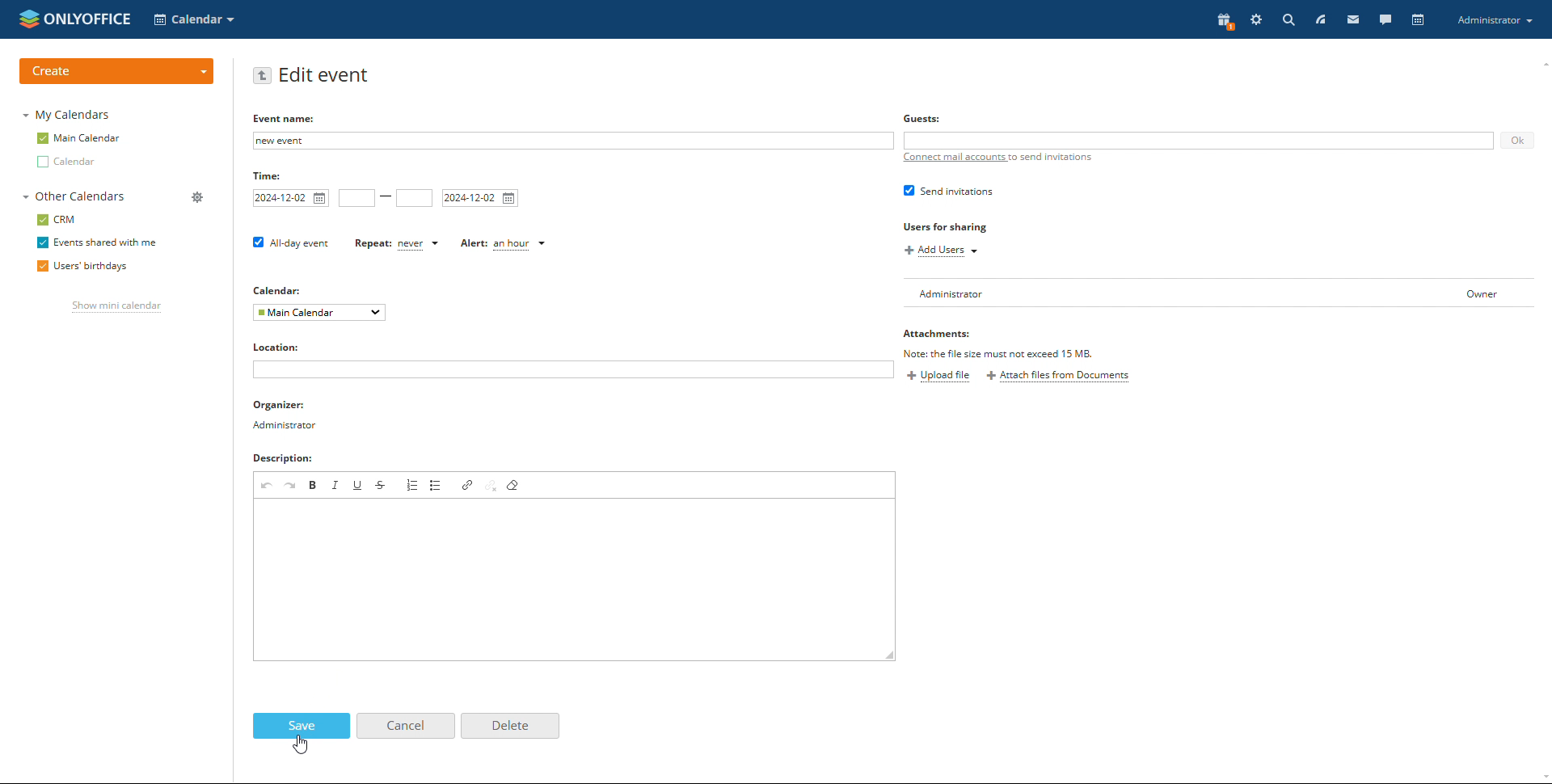 This screenshot has height=784, width=1552. Describe the element at coordinates (280, 290) in the screenshot. I see `calendar` at that location.